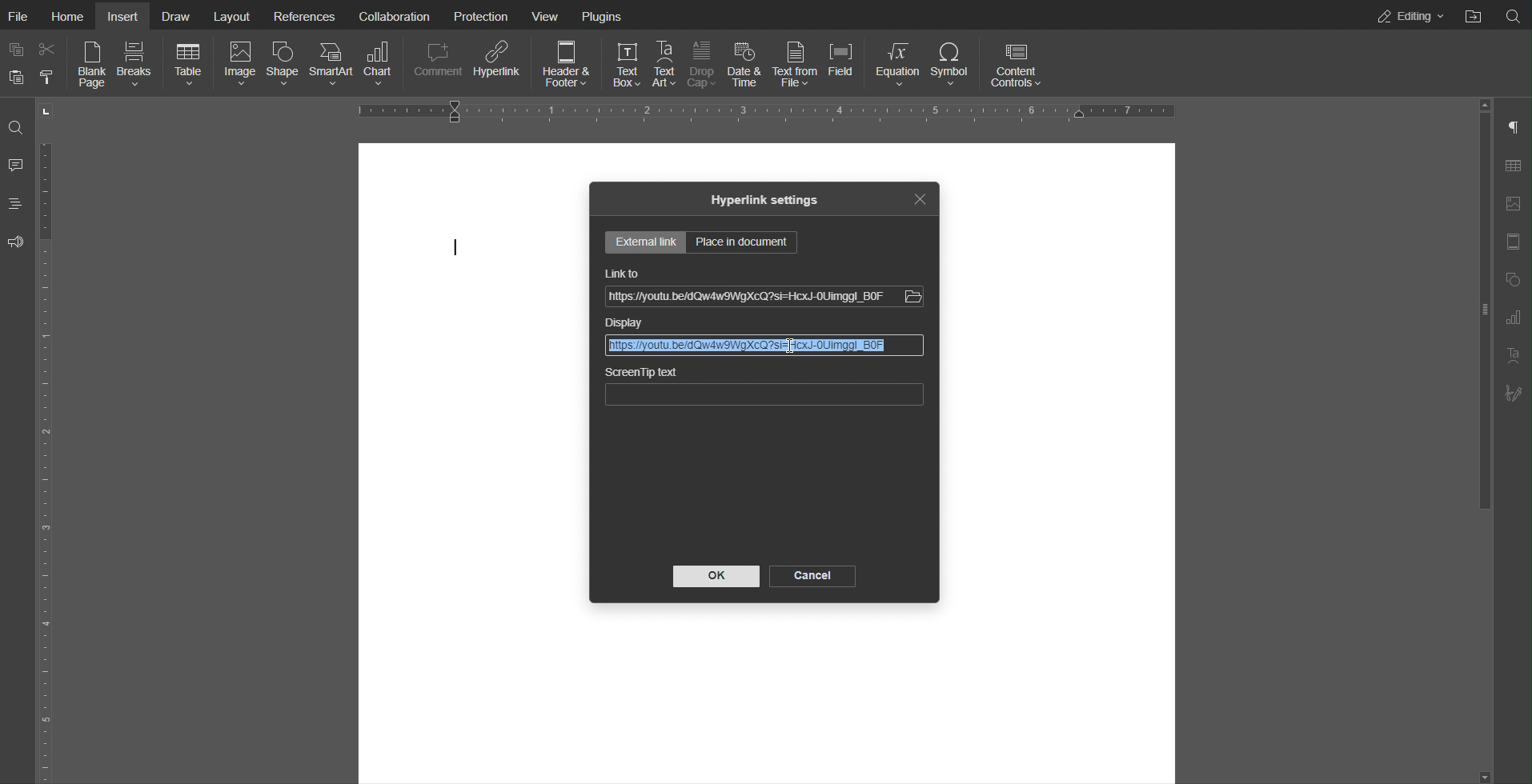  I want to click on Text Art, so click(1510, 358).